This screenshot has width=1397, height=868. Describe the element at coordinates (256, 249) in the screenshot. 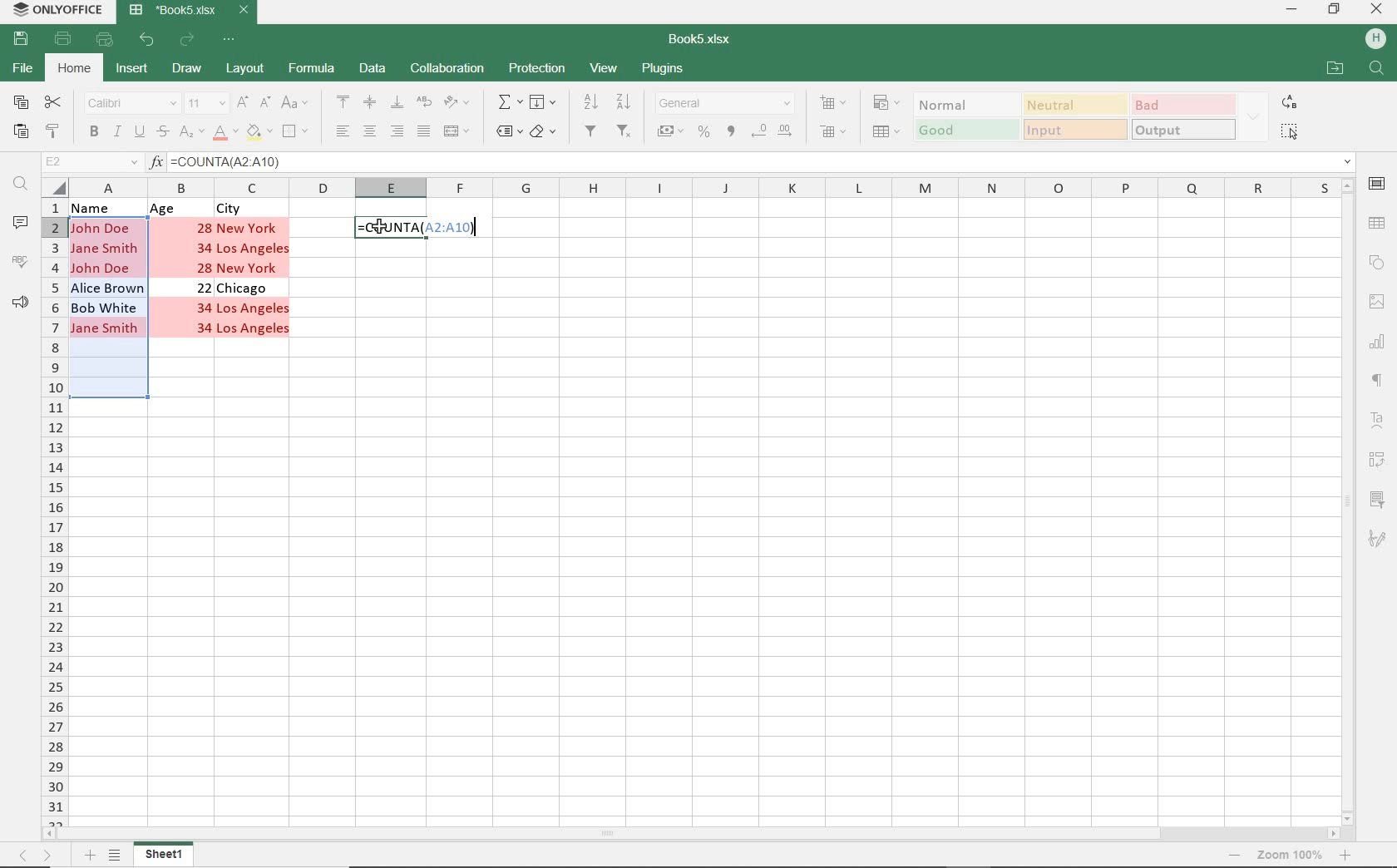

I see `Los Angeles` at that location.